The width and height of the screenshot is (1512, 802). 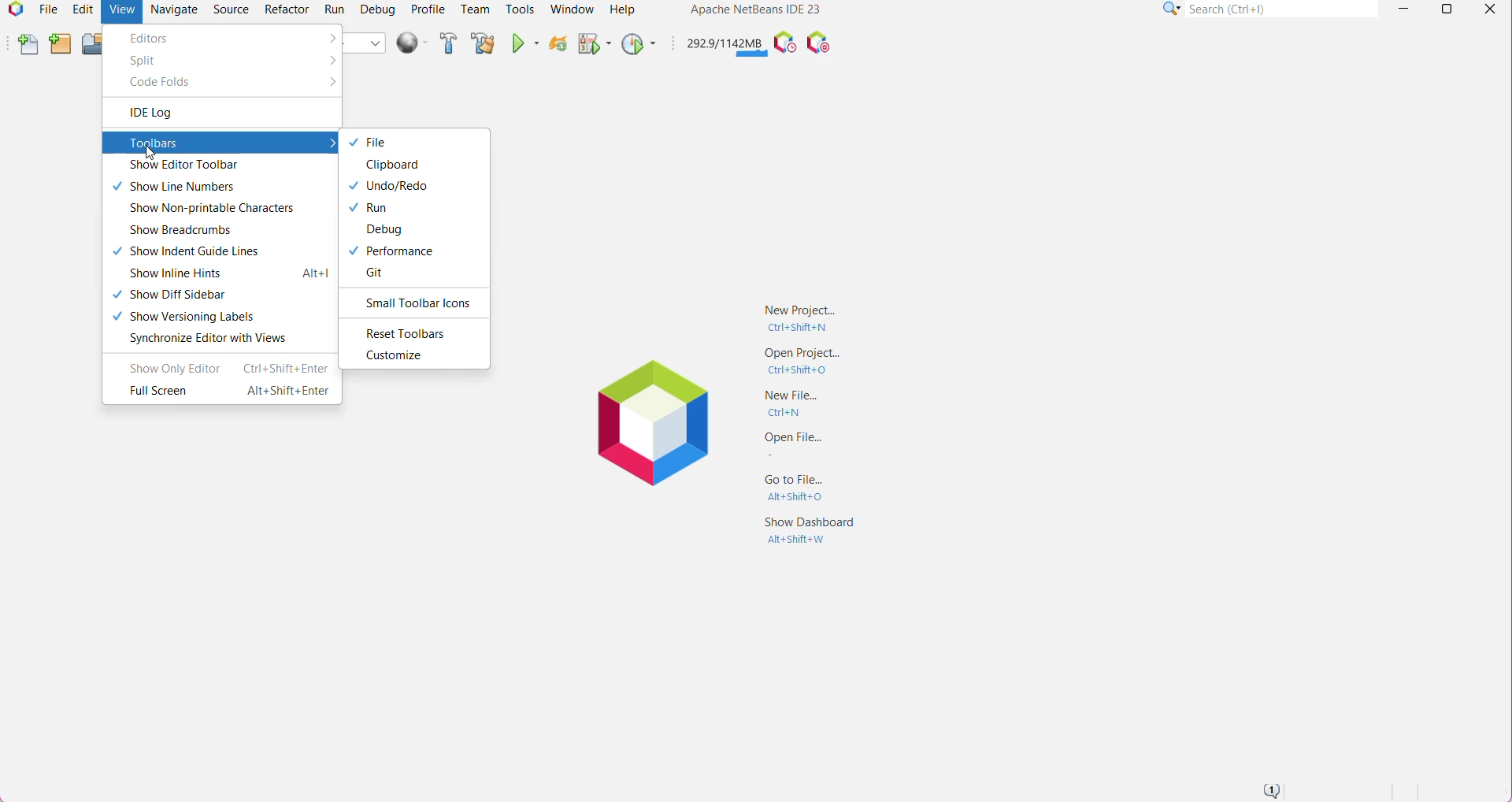 What do you see at coordinates (624, 9) in the screenshot?
I see `Help` at bounding box center [624, 9].